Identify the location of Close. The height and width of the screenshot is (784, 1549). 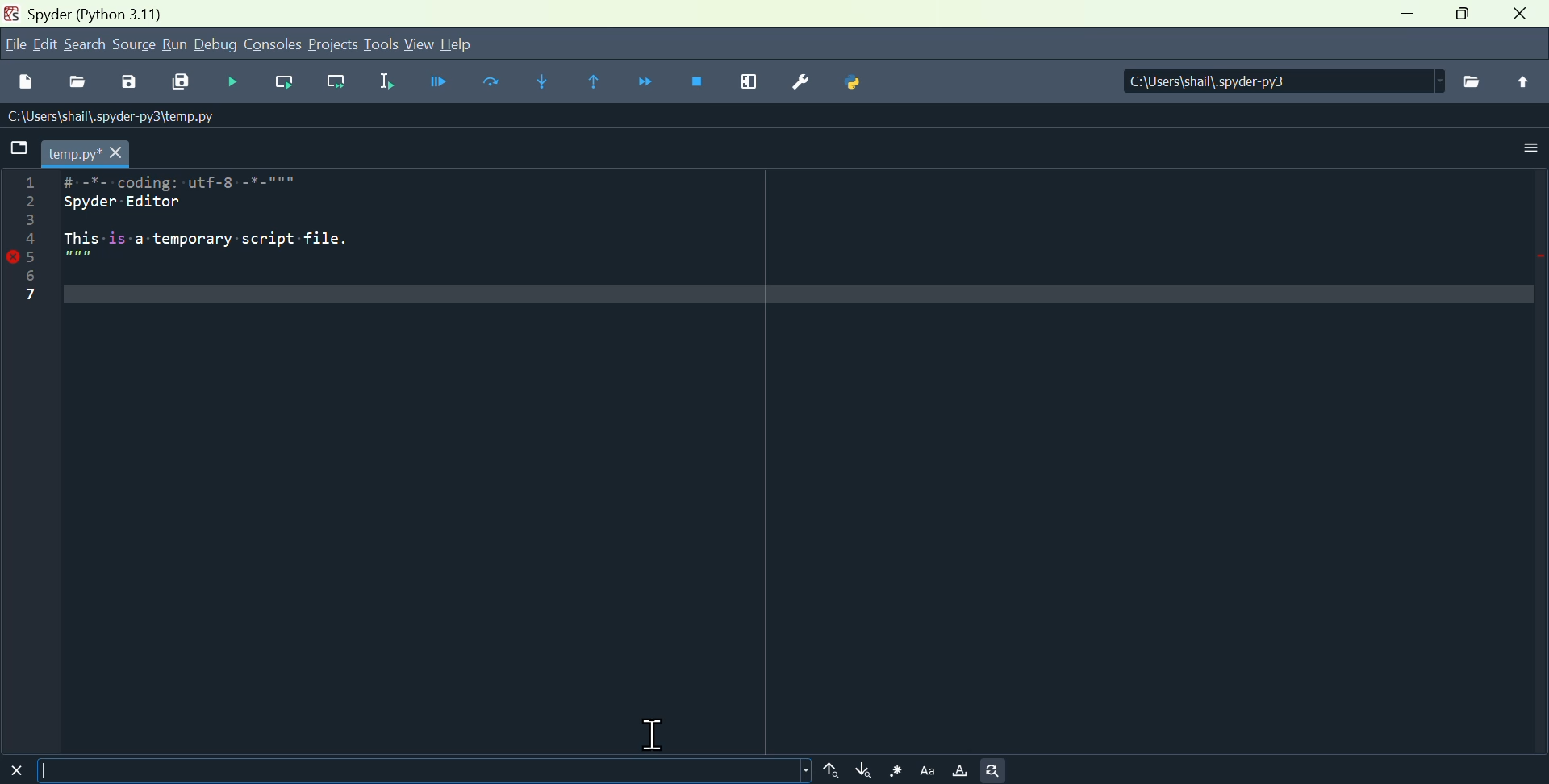
(19, 770).